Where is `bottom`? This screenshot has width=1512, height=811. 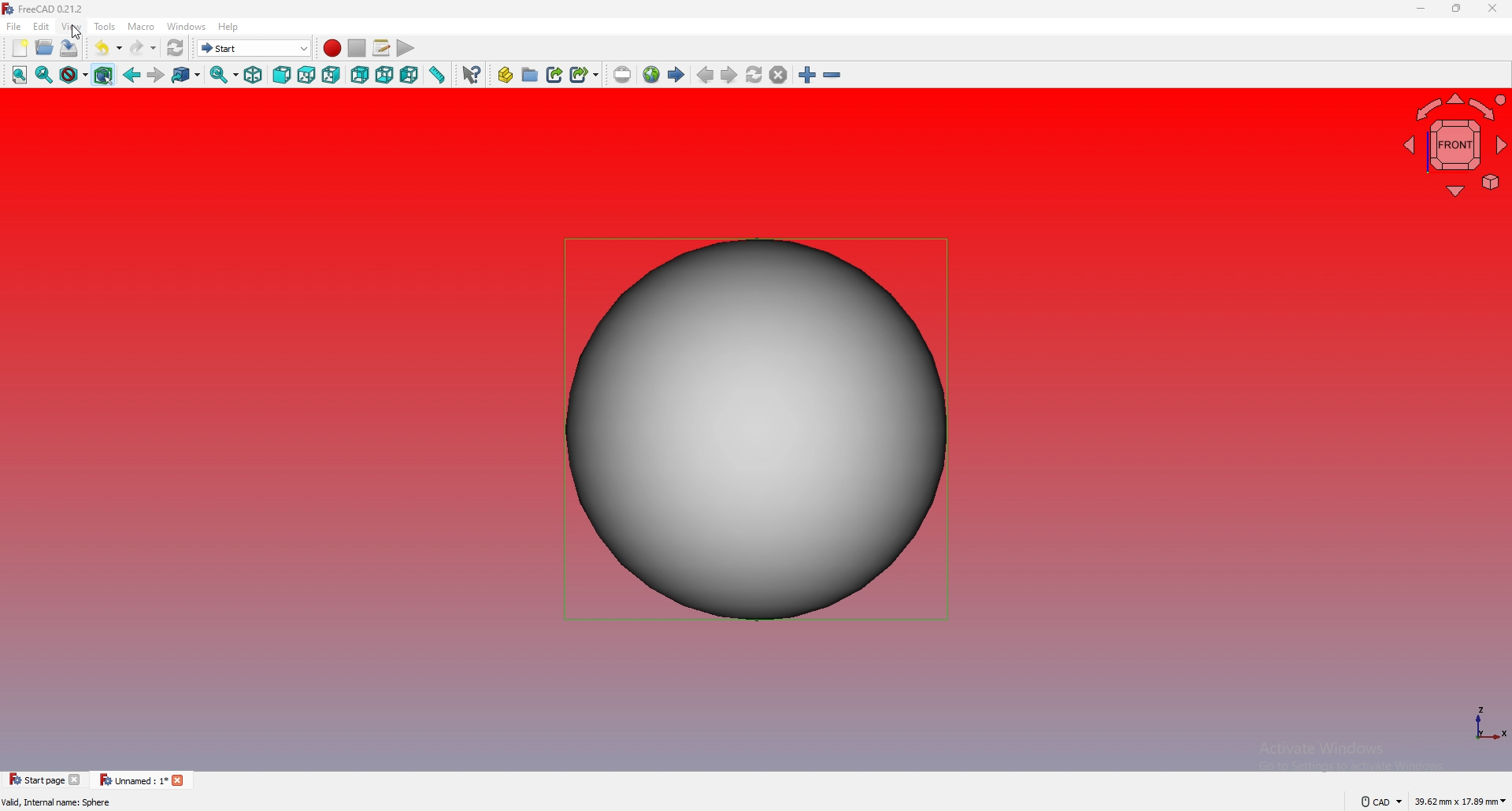 bottom is located at coordinates (385, 75).